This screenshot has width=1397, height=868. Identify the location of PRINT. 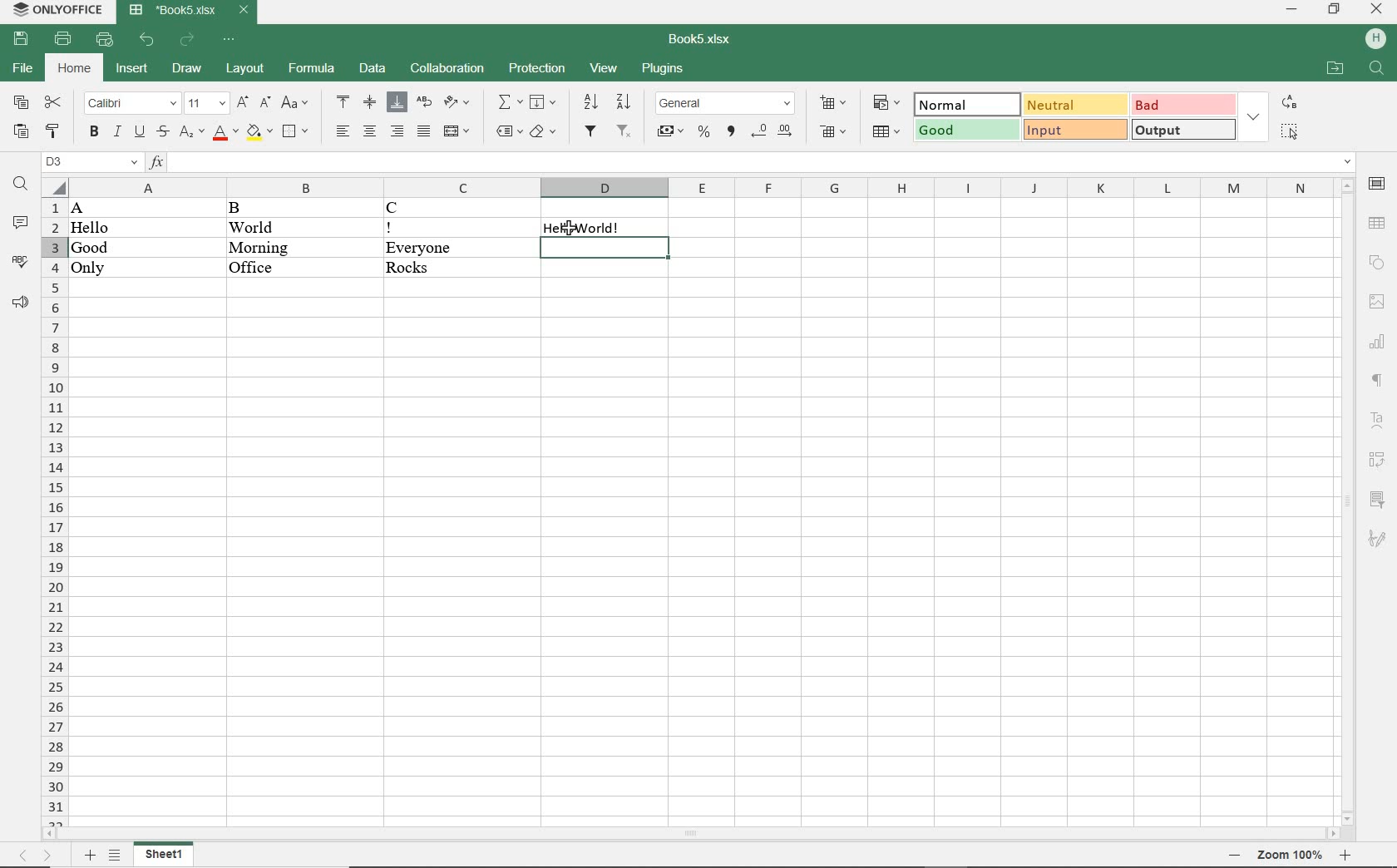
(63, 40).